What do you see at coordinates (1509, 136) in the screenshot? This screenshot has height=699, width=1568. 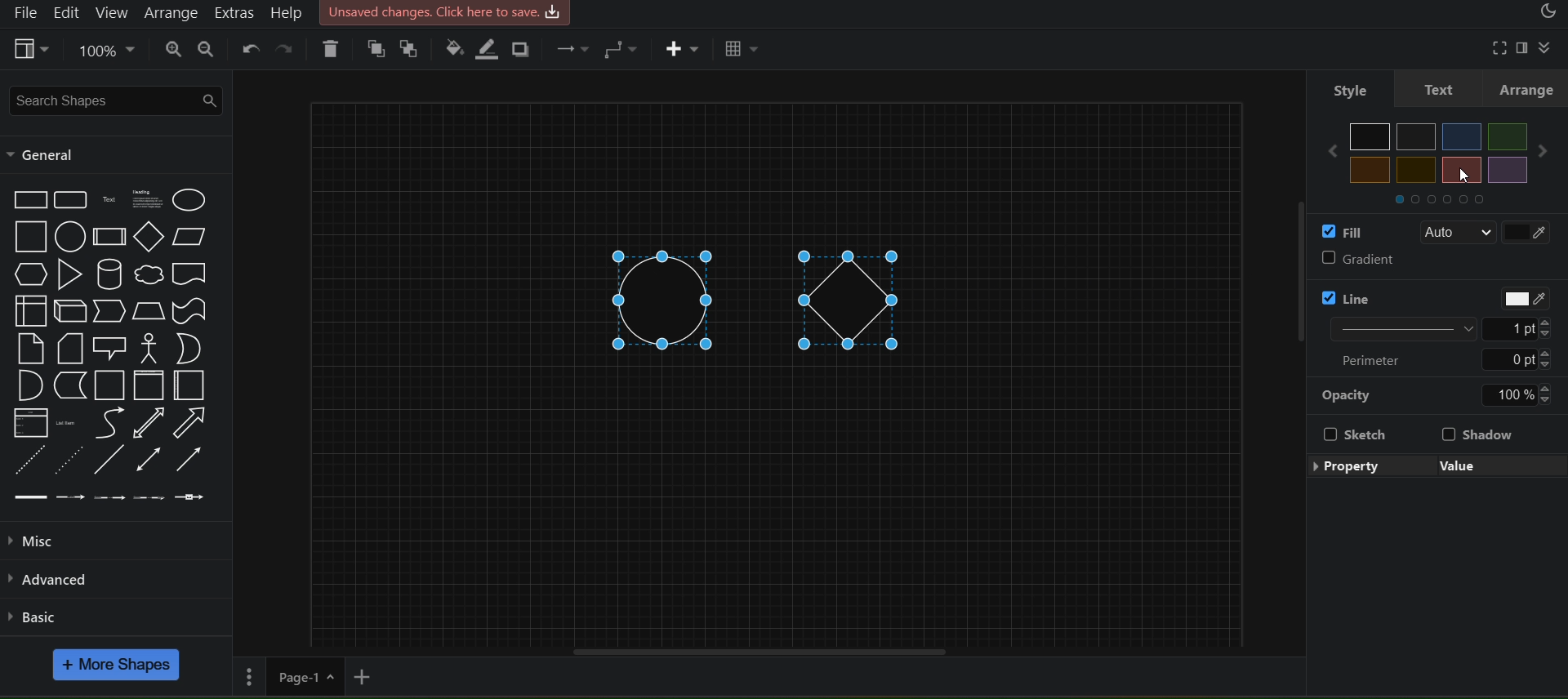 I see `` at bounding box center [1509, 136].